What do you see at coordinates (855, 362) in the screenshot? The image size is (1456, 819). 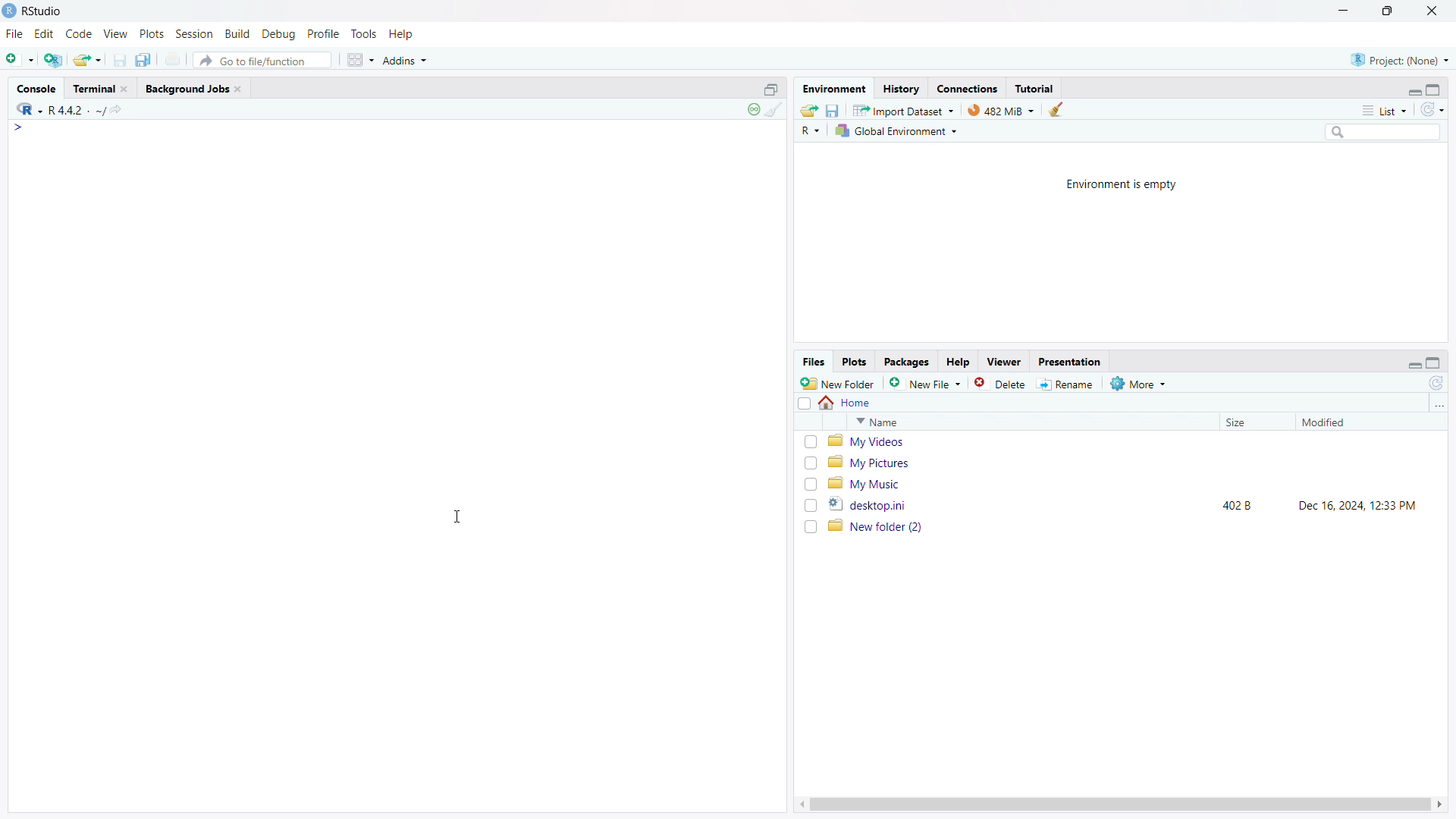 I see `plots` at bounding box center [855, 362].